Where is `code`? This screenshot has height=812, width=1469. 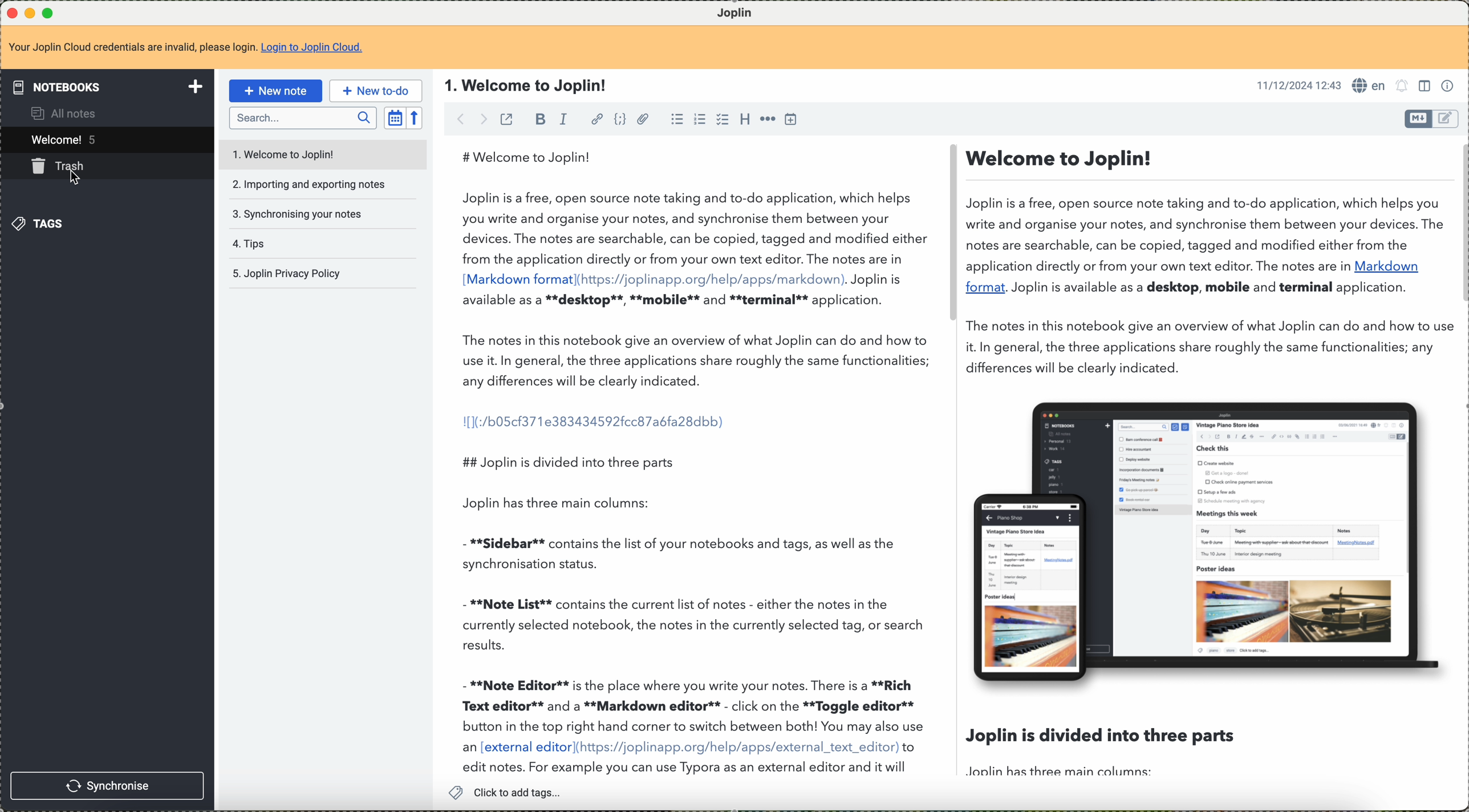 code is located at coordinates (620, 120).